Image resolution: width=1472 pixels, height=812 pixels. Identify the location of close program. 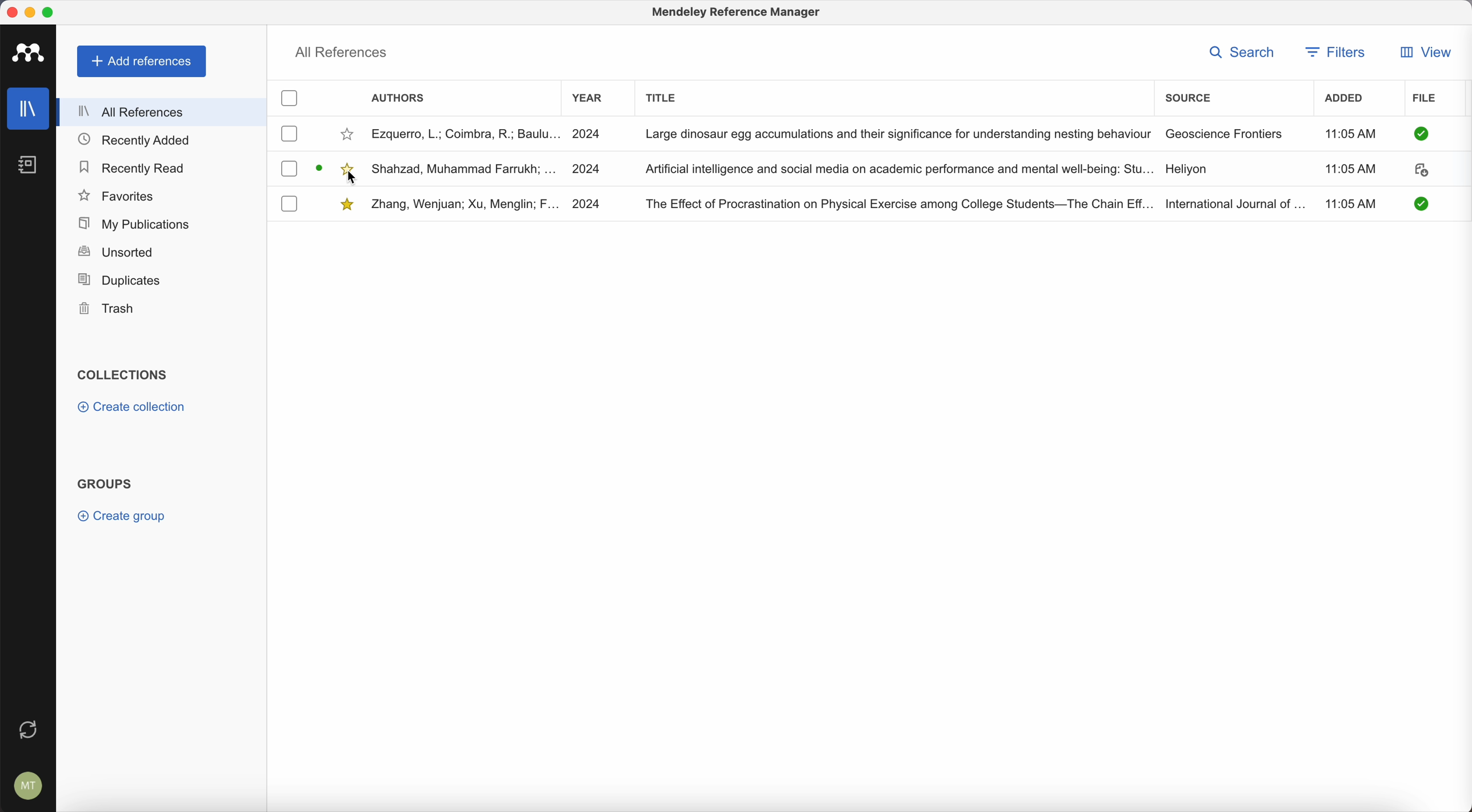
(11, 12).